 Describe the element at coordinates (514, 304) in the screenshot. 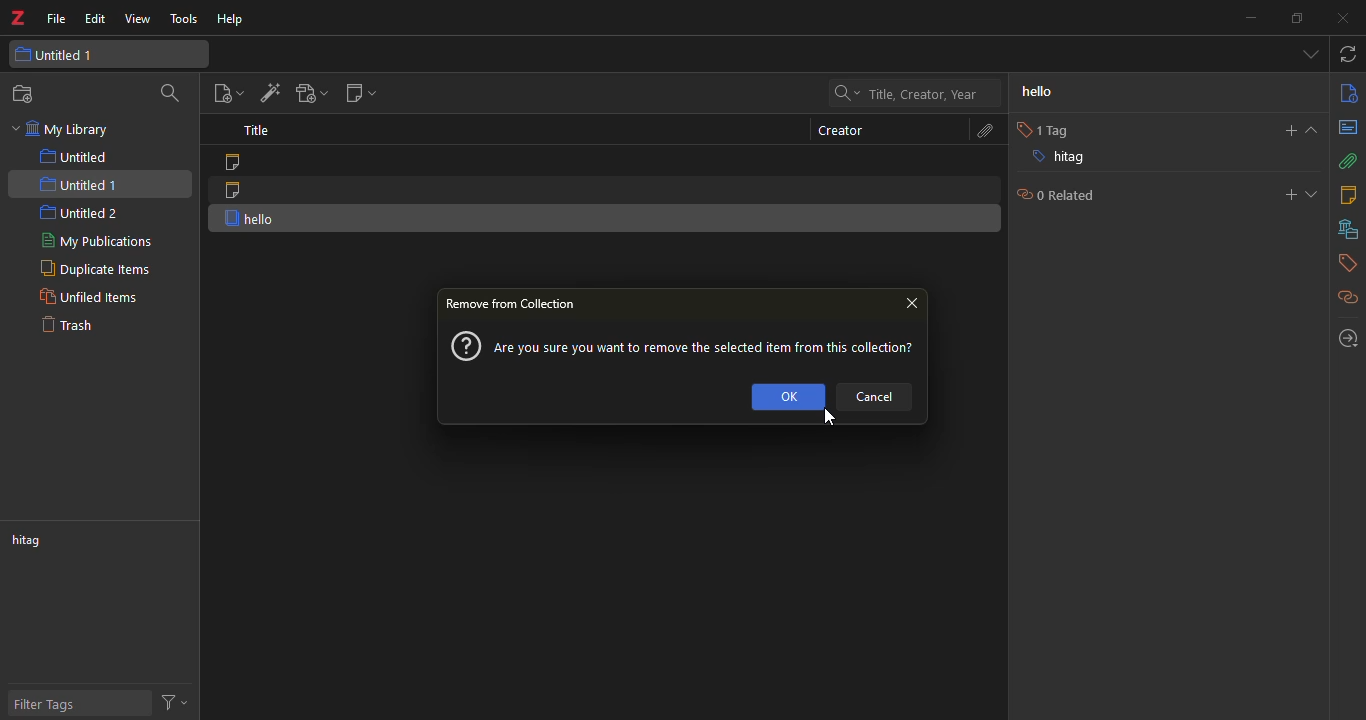

I see `remove from collection` at that location.